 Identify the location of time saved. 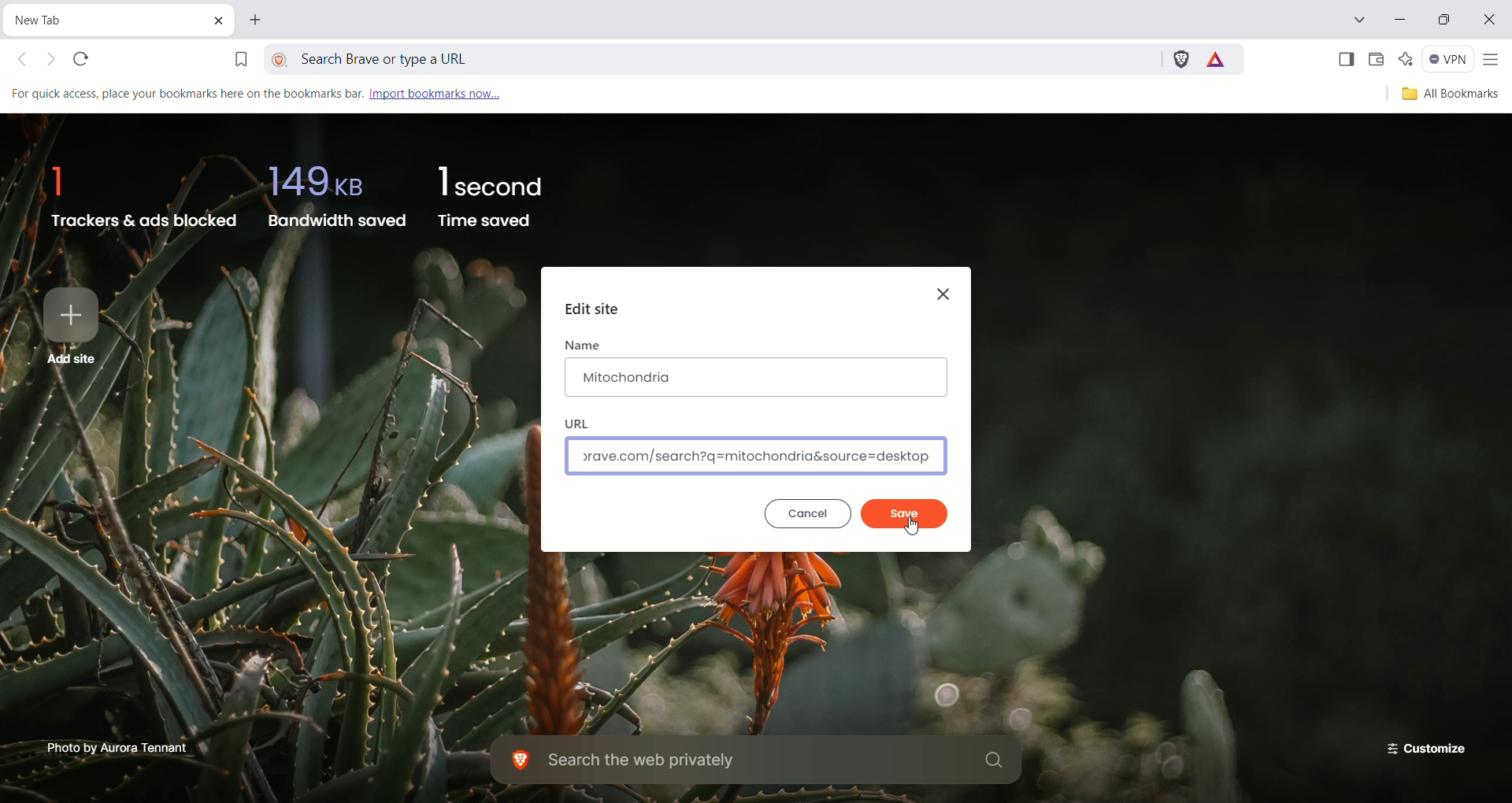
(494, 197).